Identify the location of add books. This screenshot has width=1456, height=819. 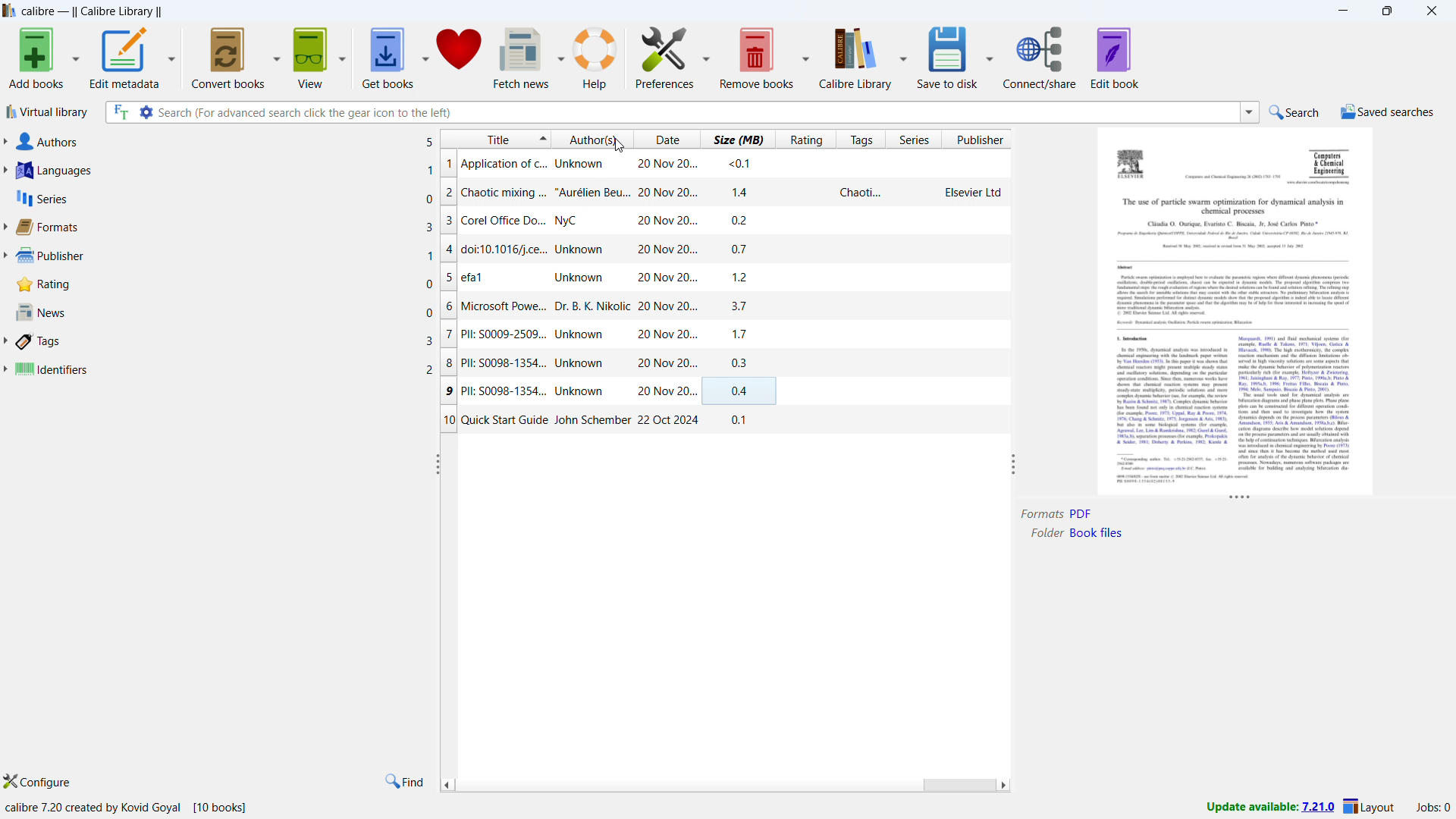
(35, 57).